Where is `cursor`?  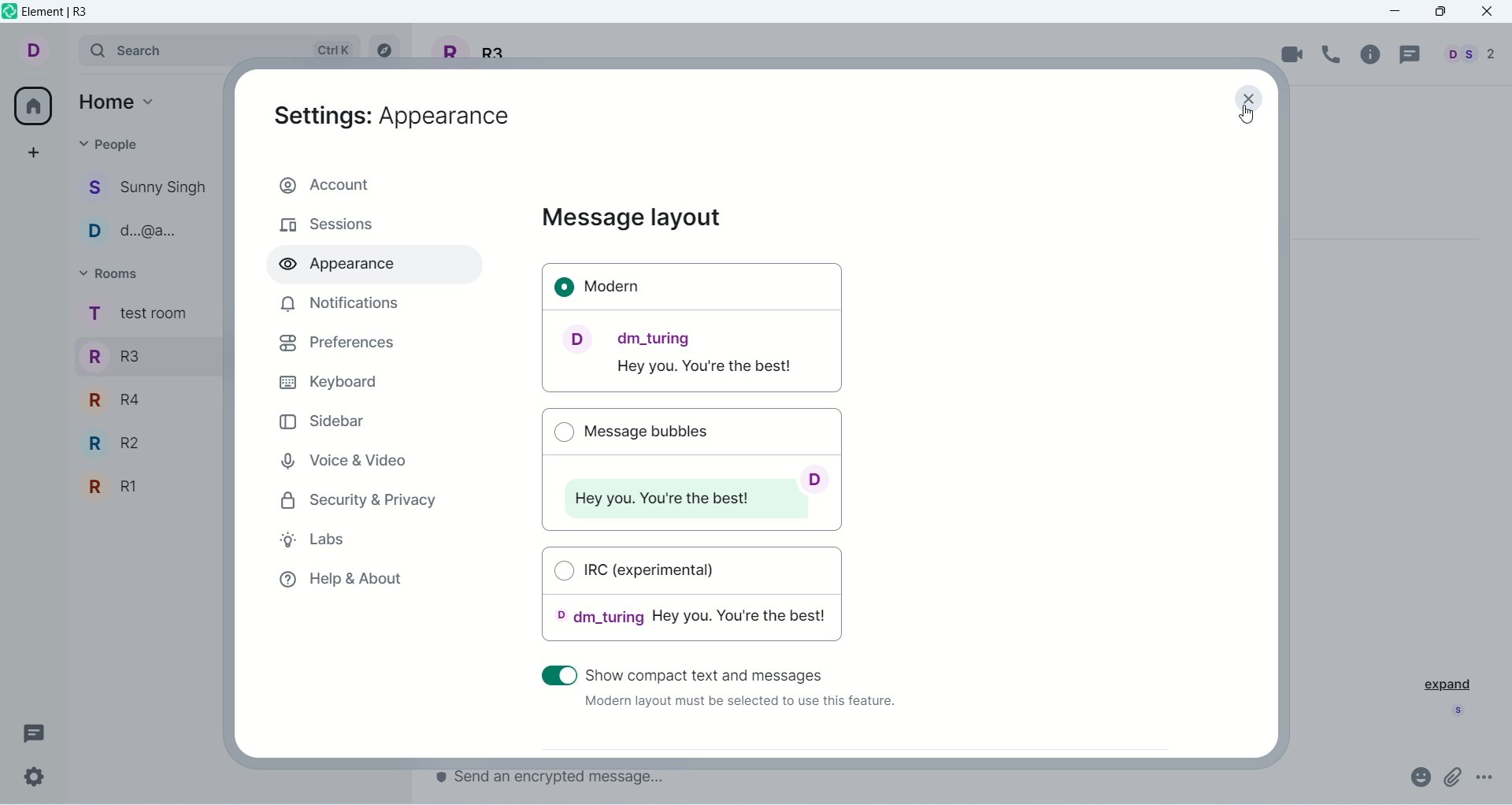
cursor is located at coordinates (557, 676).